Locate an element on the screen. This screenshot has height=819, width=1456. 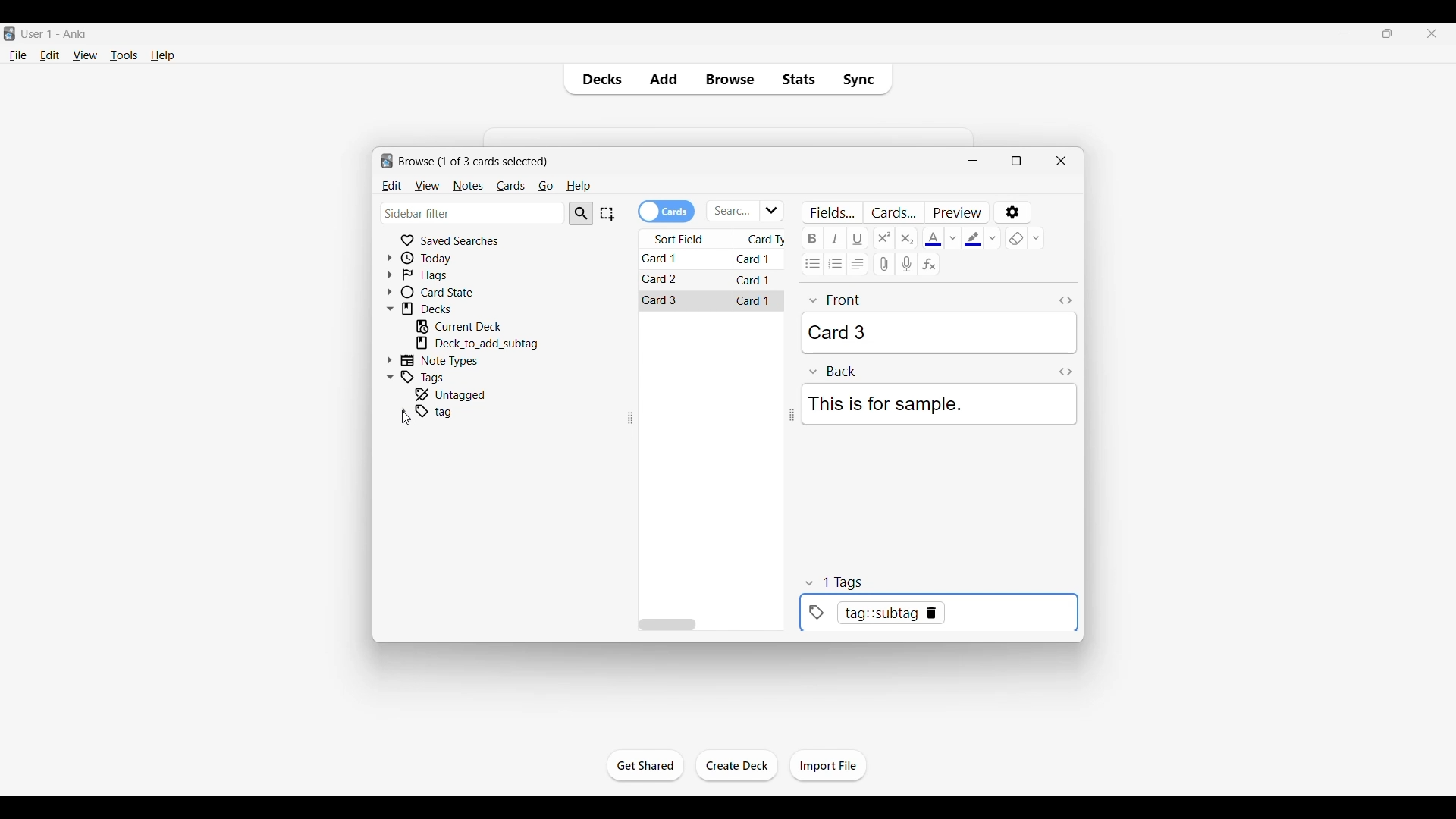
Click to go to Flags  is located at coordinates (449, 275).